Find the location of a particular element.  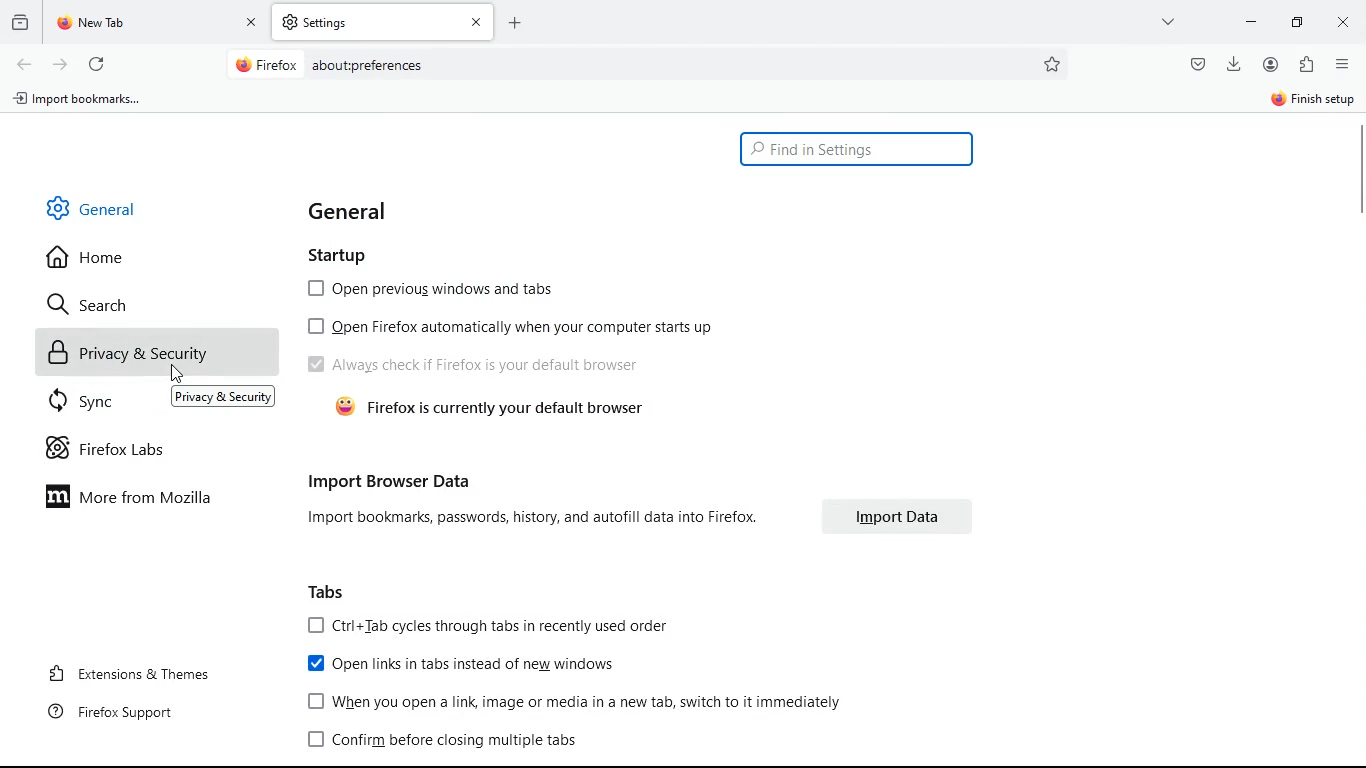

Open links in tabs instead of new windows is located at coordinates (455, 662).